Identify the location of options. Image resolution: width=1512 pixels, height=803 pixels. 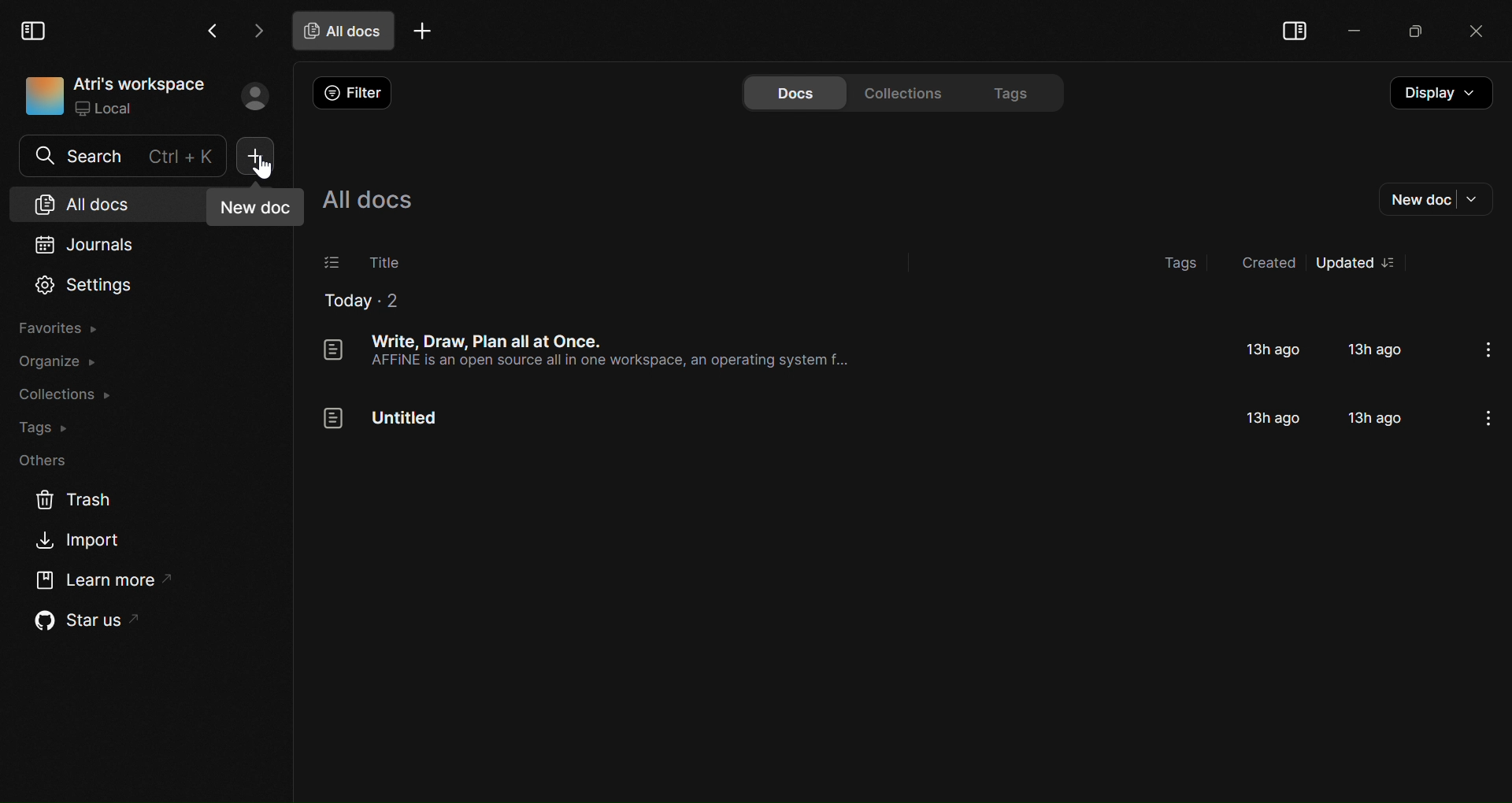
(1395, 263).